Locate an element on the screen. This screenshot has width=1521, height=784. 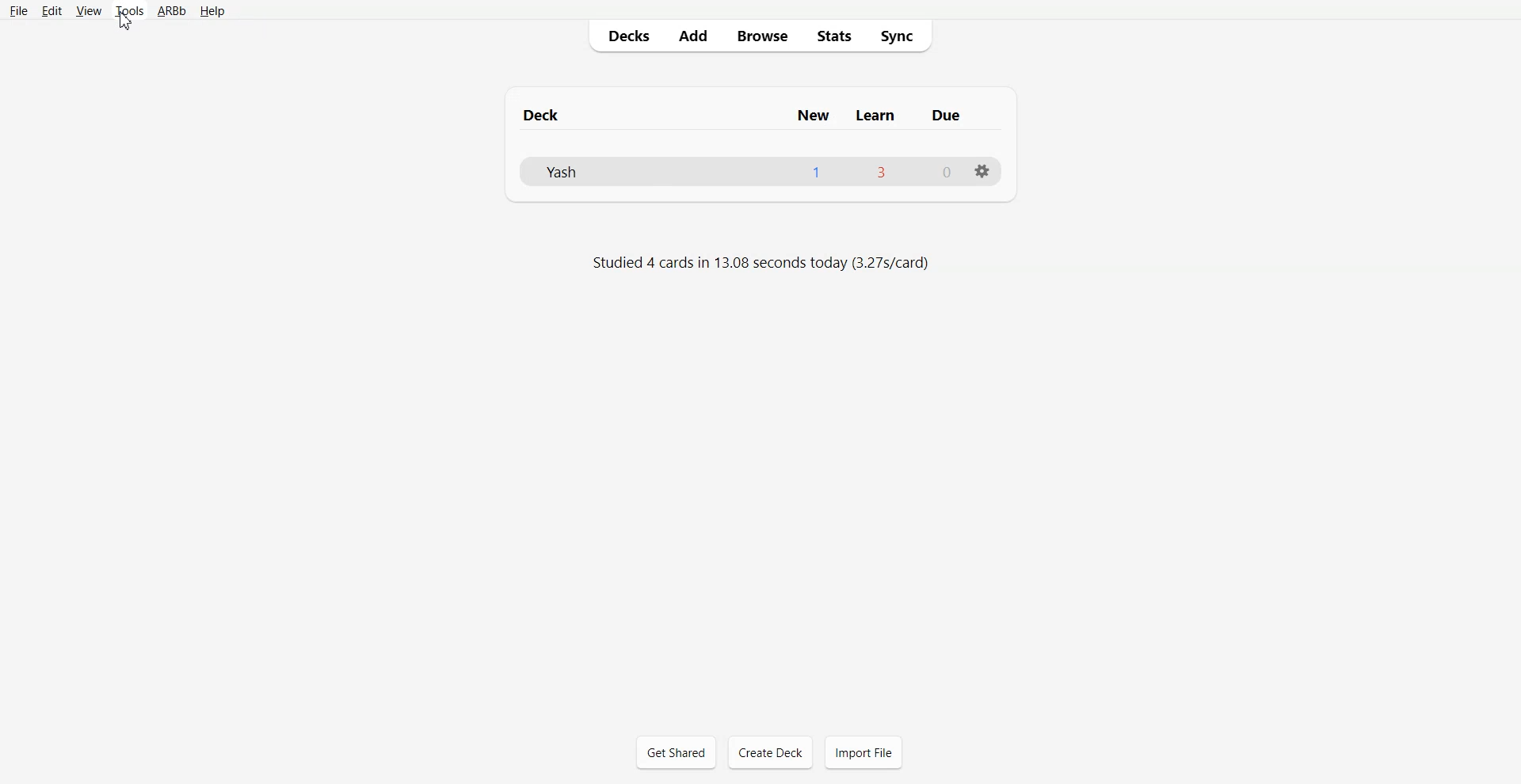
Deck file is located at coordinates (759, 171).